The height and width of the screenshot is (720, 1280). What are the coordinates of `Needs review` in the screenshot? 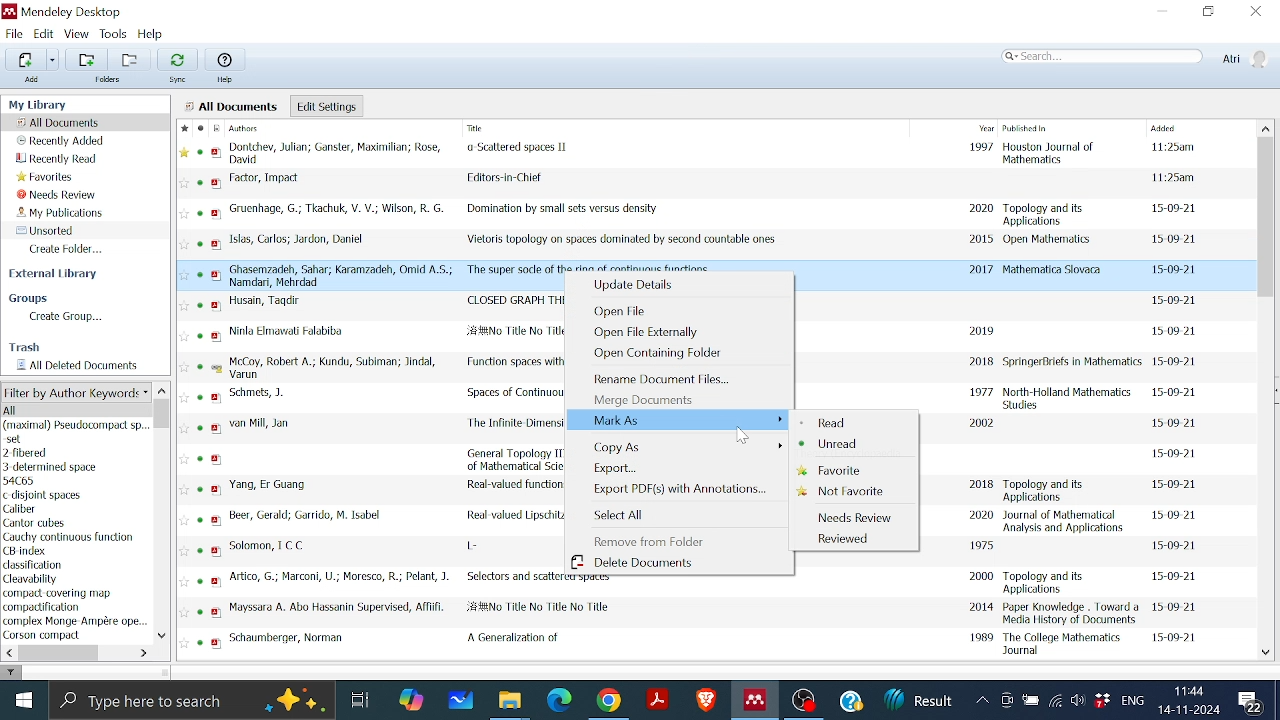 It's located at (59, 194).